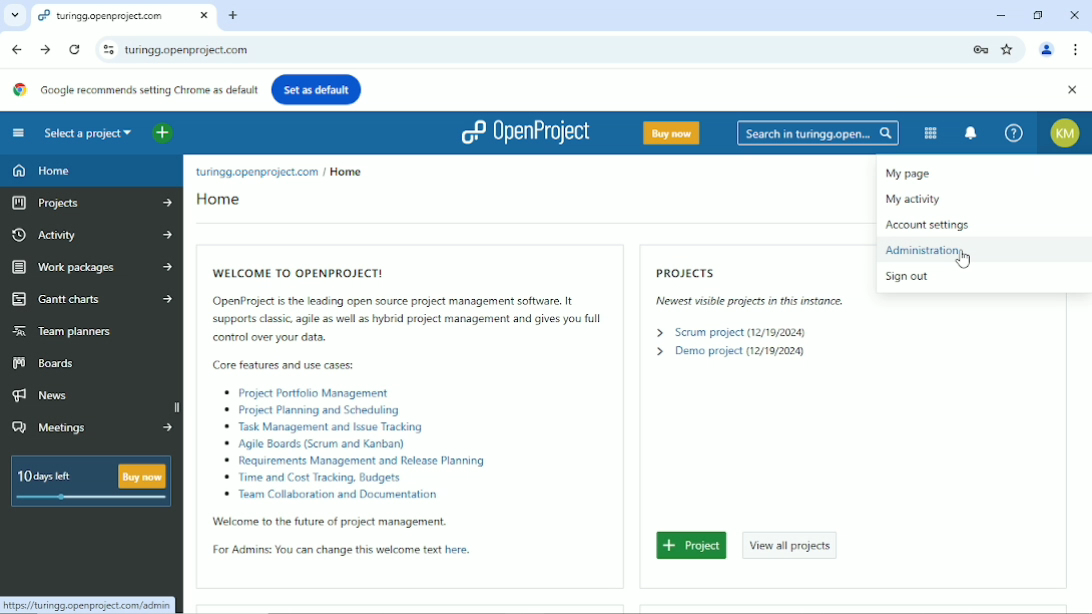 This screenshot has height=614, width=1092. Describe the element at coordinates (524, 132) in the screenshot. I see `Openproject` at that location.